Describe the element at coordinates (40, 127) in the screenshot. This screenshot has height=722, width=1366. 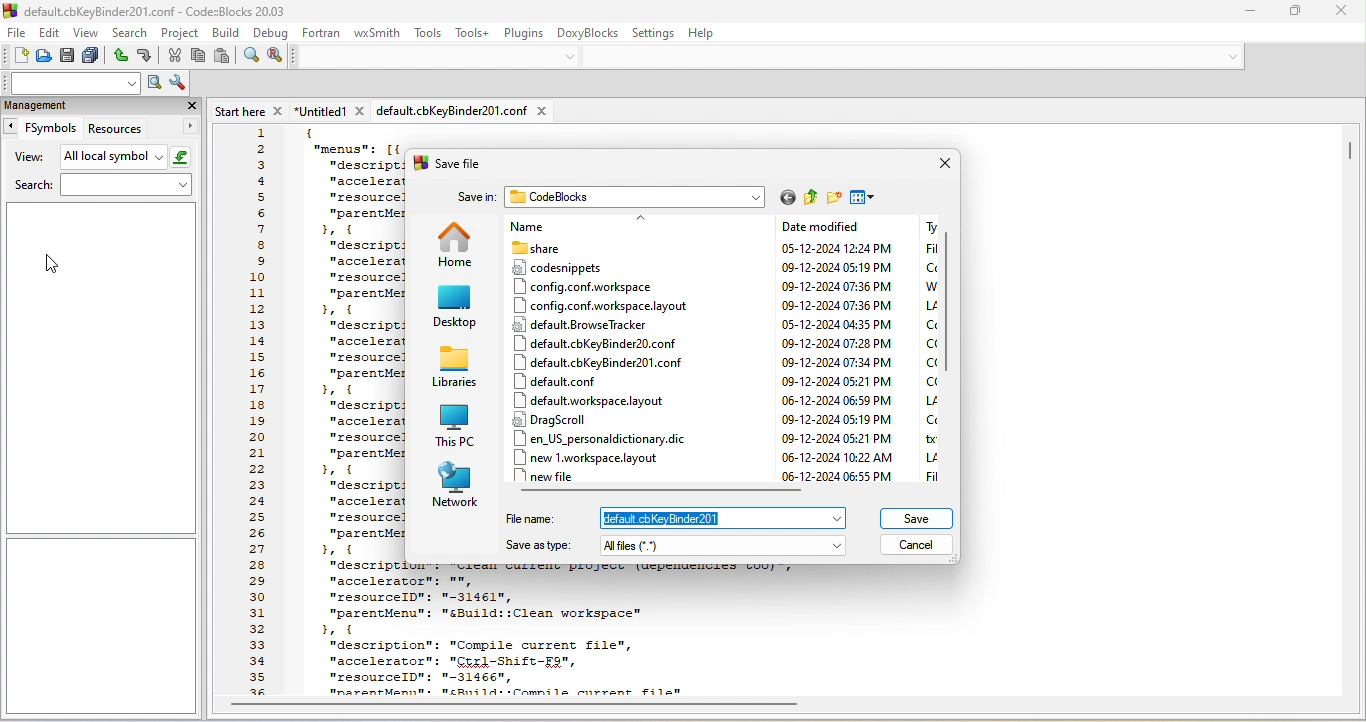
I see `fsymbols` at that location.